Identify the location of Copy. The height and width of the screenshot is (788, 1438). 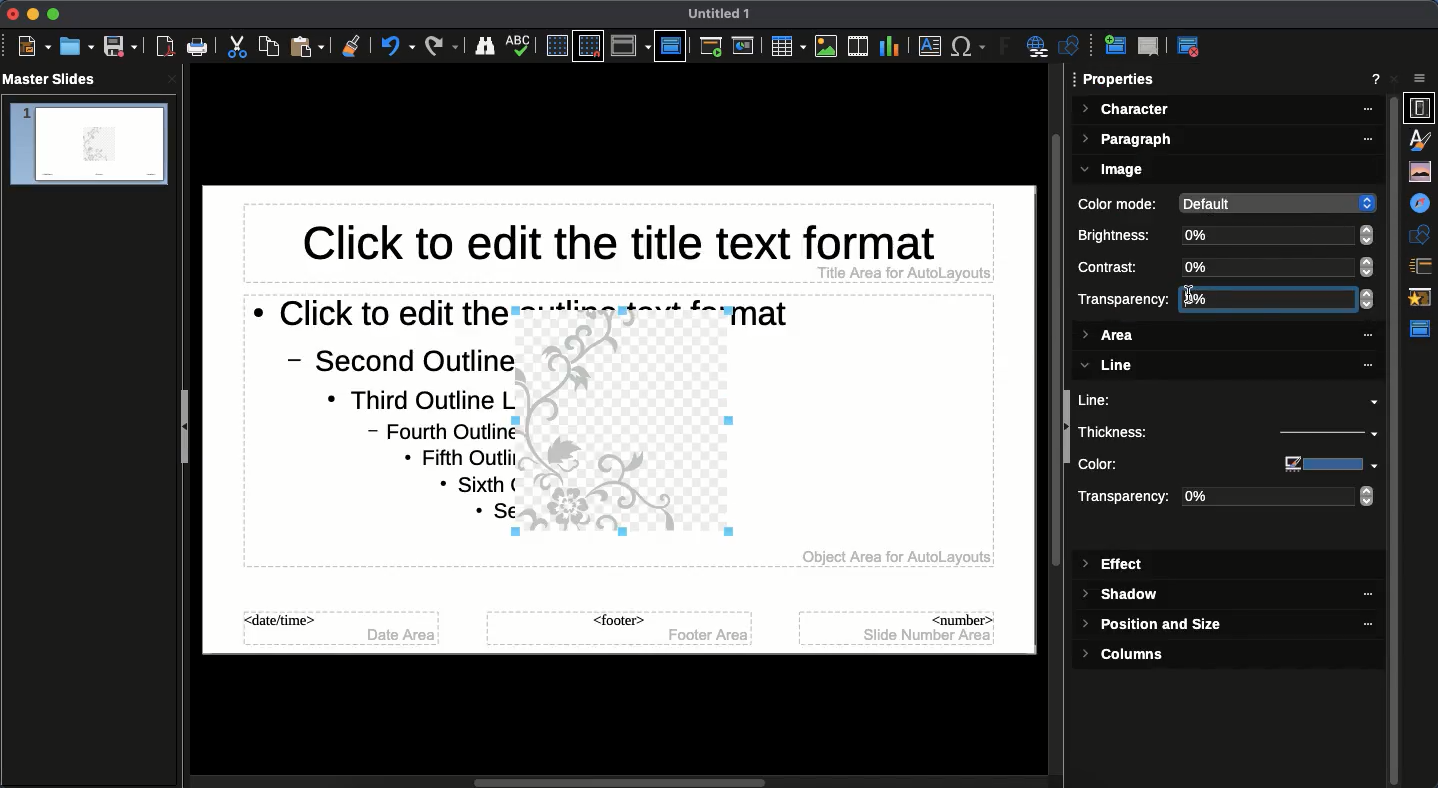
(269, 46).